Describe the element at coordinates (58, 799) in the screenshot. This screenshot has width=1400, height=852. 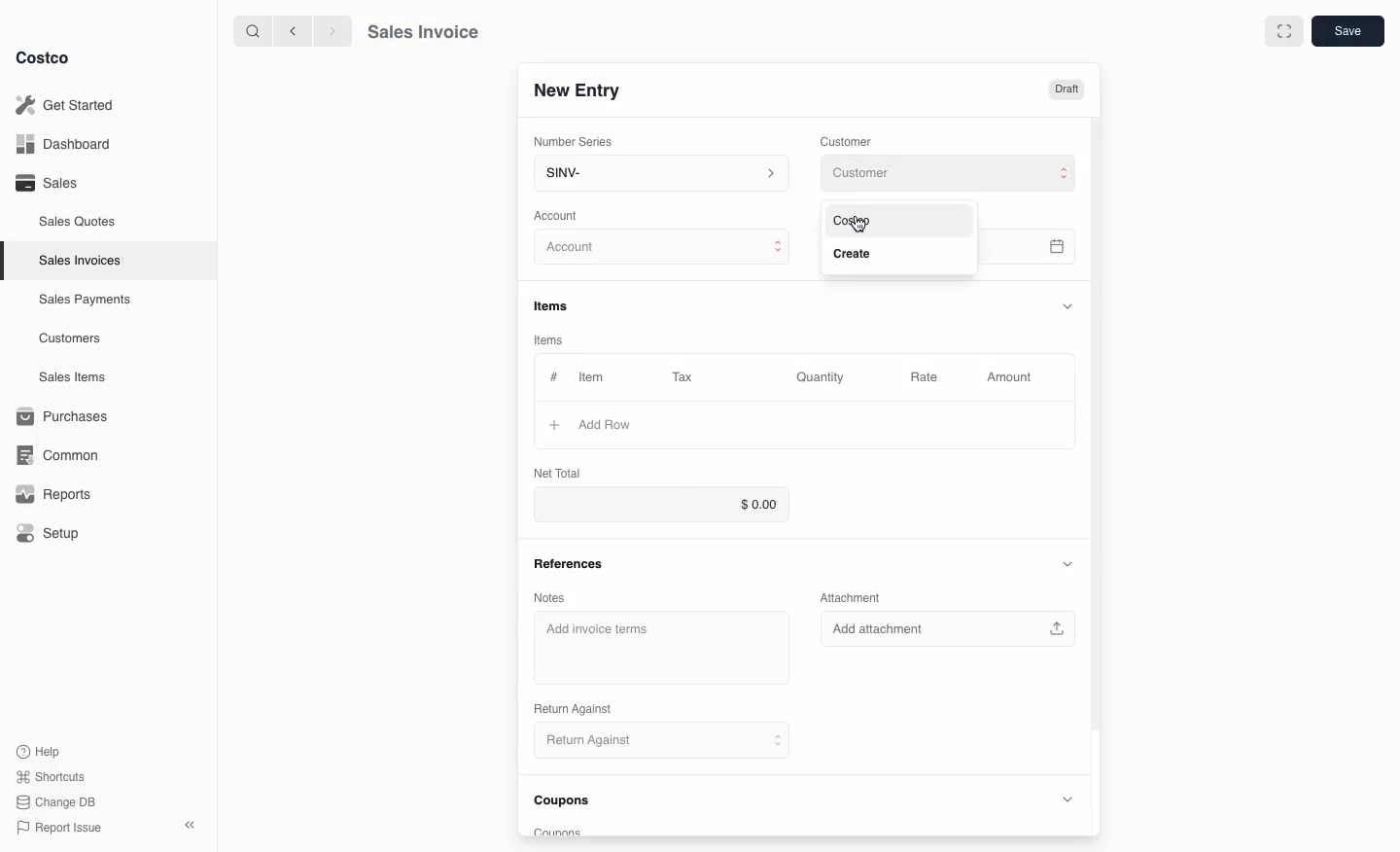
I see `Change DB` at that location.